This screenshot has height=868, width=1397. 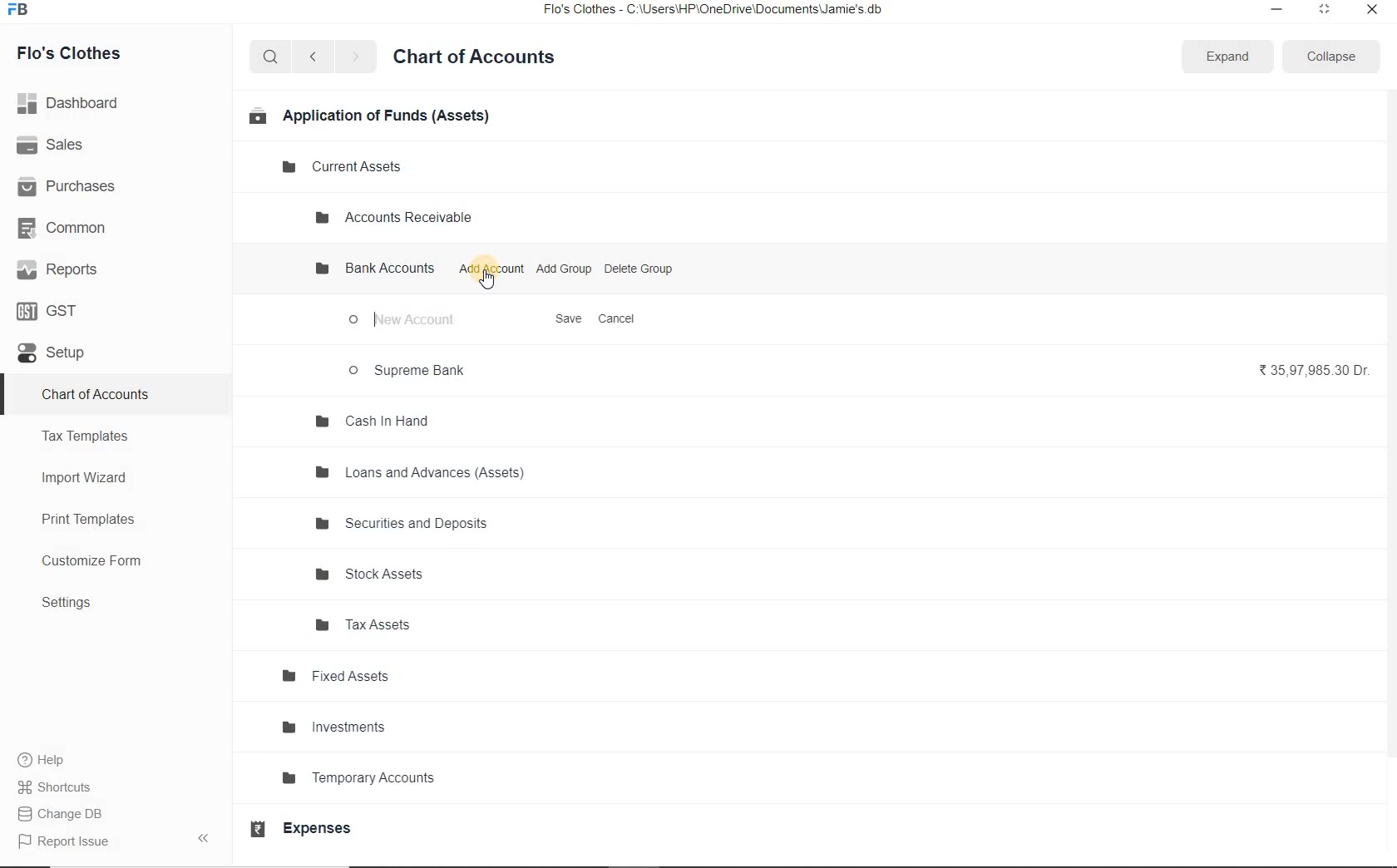 I want to click on help, so click(x=42, y=760).